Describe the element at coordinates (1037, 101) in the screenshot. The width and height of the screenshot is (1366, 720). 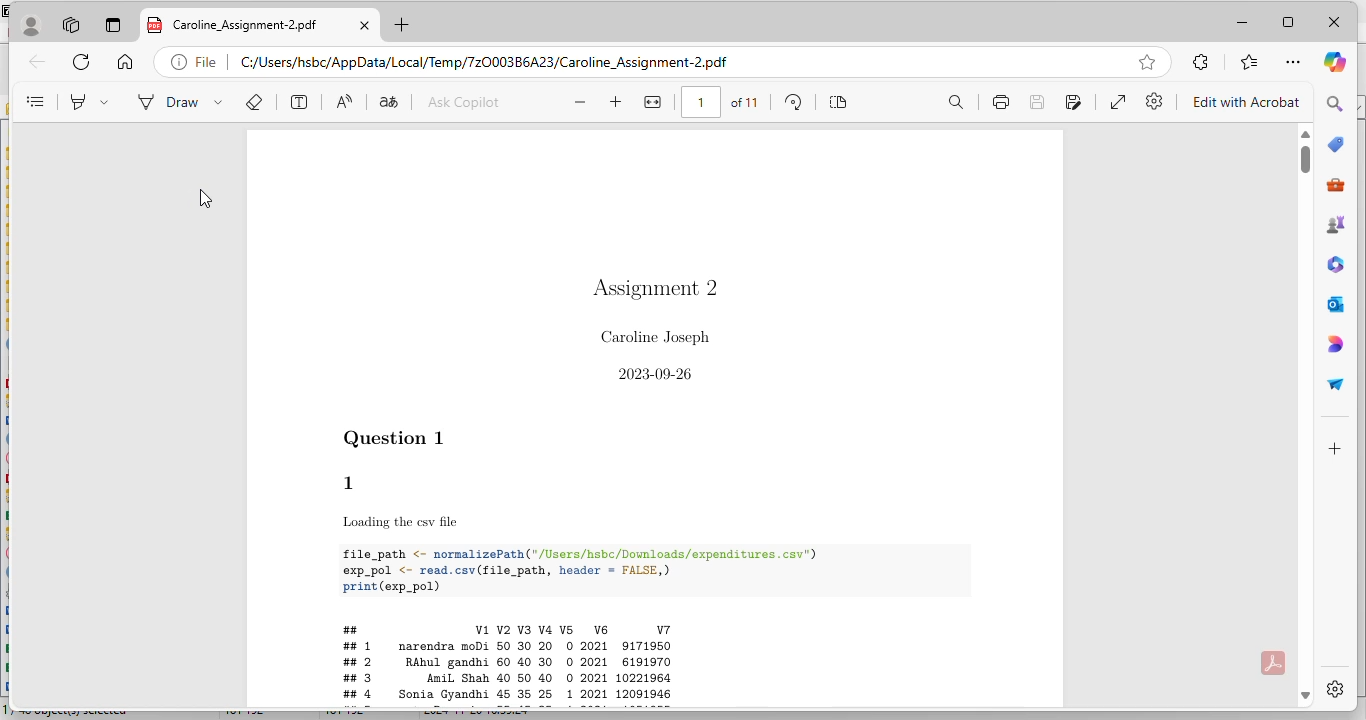
I see `save` at that location.